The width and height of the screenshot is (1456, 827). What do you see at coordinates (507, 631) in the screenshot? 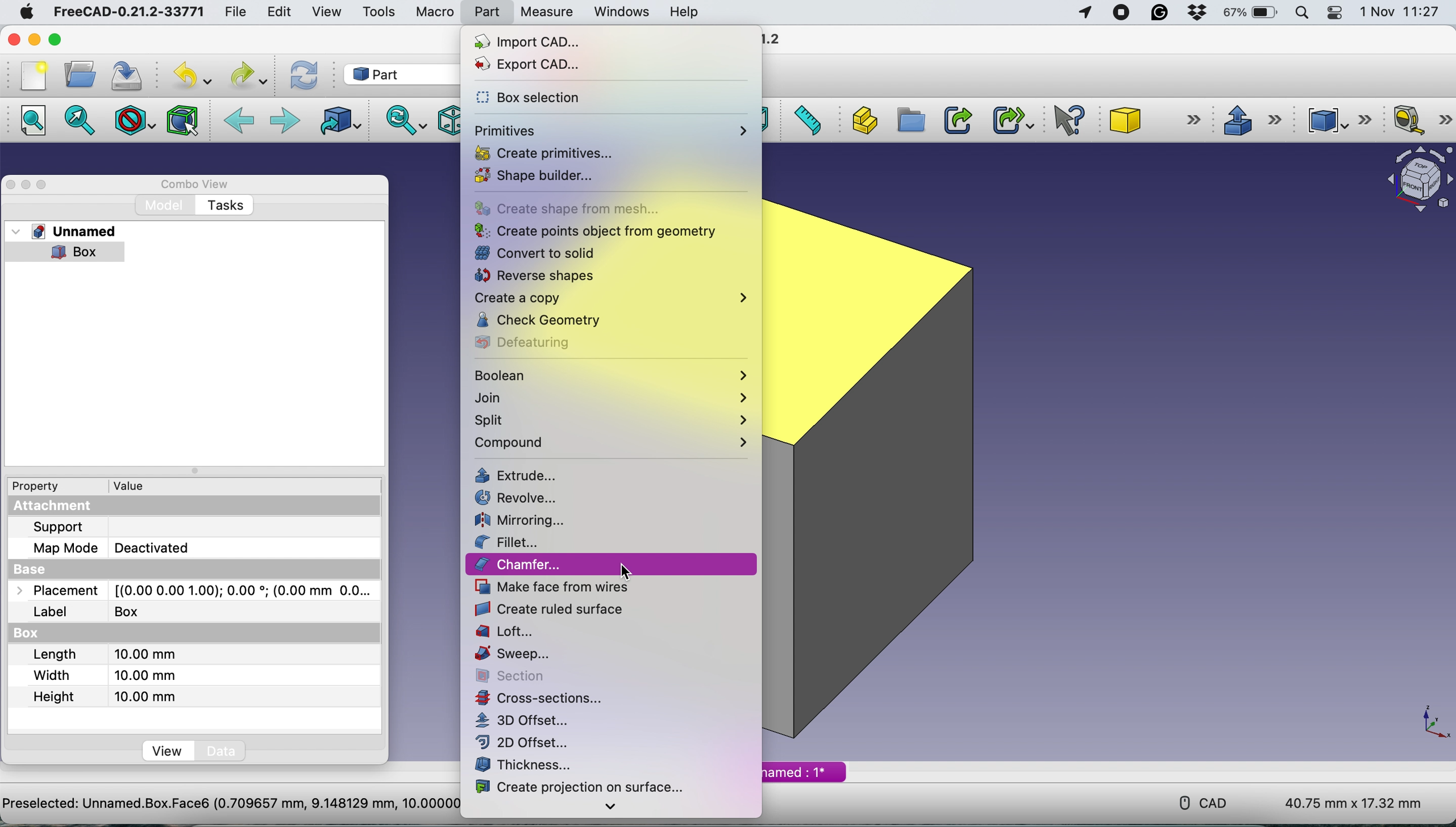
I see `loft` at bounding box center [507, 631].